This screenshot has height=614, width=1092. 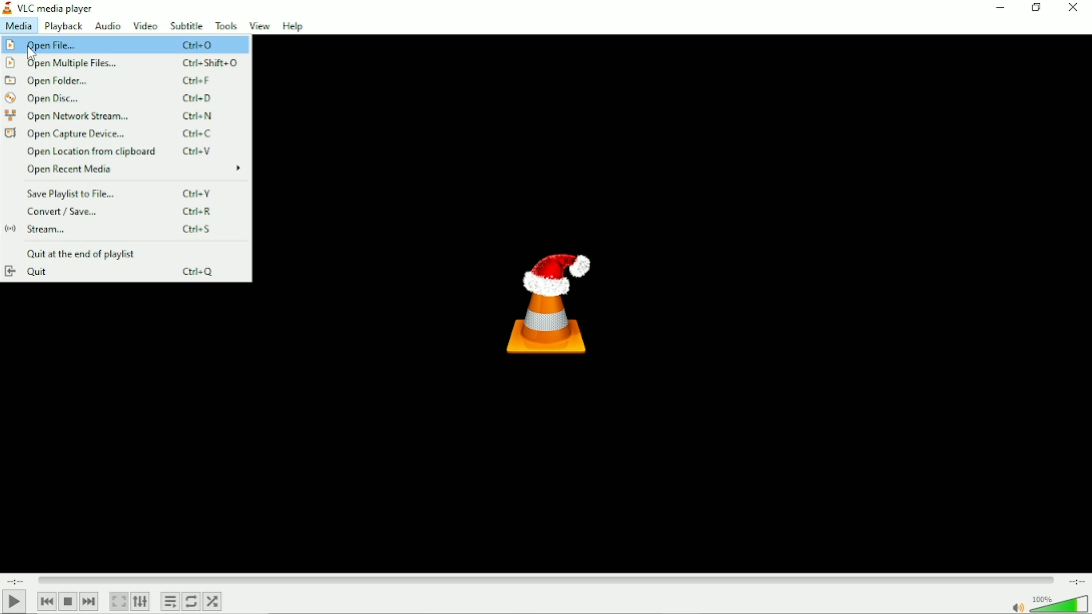 I want to click on Toggle the video in fullscreen, so click(x=118, y=601).